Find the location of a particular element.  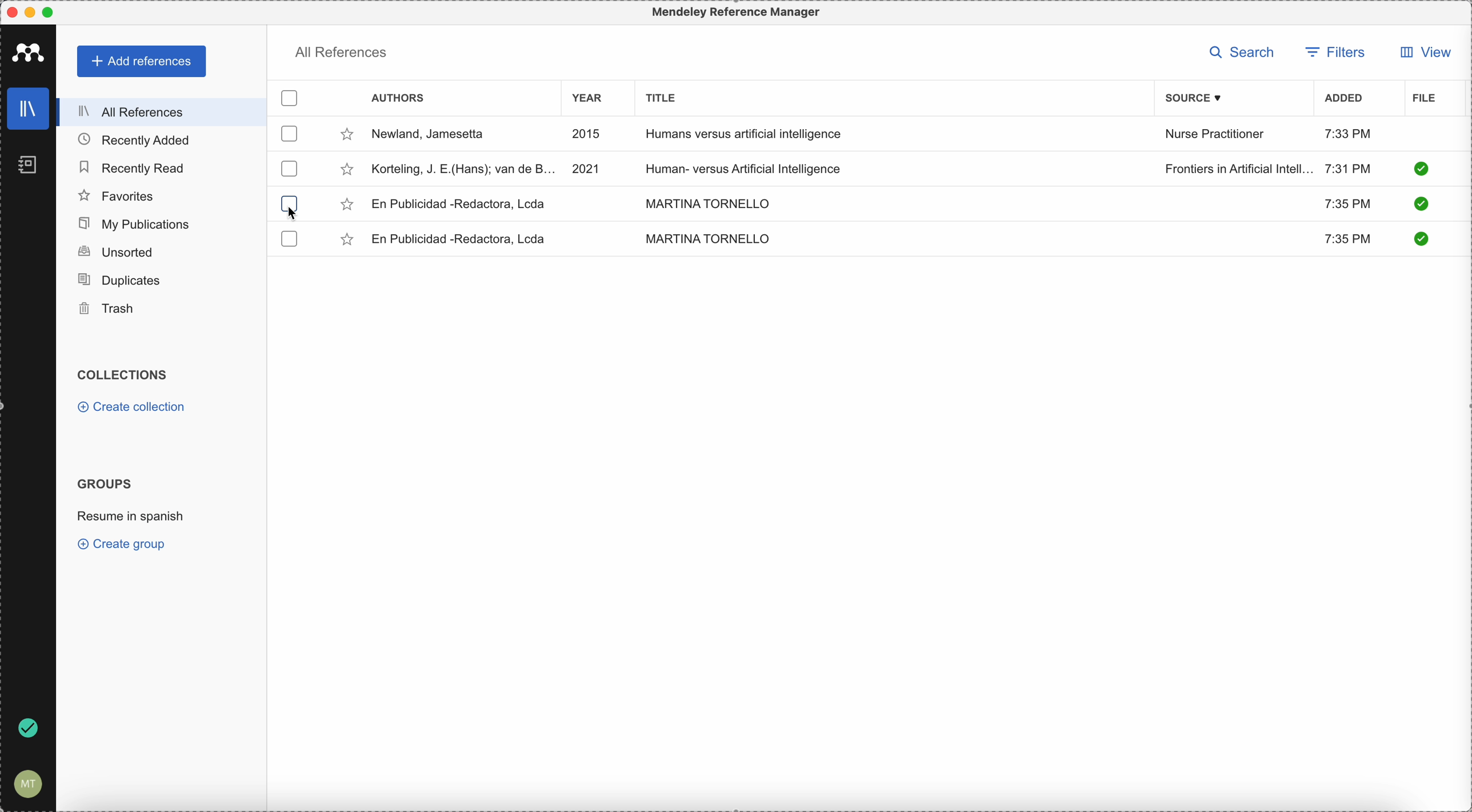

checkbox is located at coordinates (287, 168).